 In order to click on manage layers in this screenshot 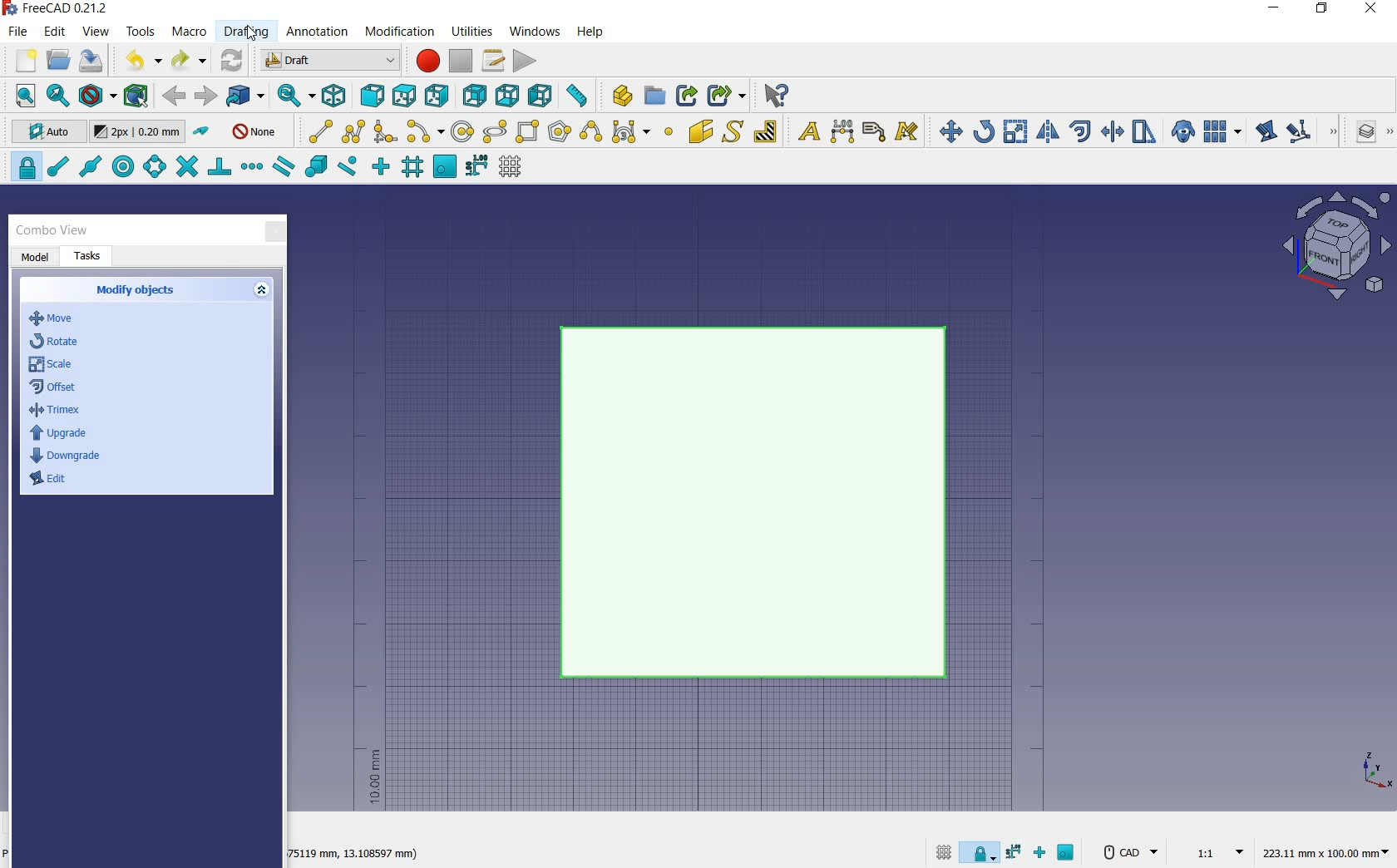, I will do `click(1358, 133)`.